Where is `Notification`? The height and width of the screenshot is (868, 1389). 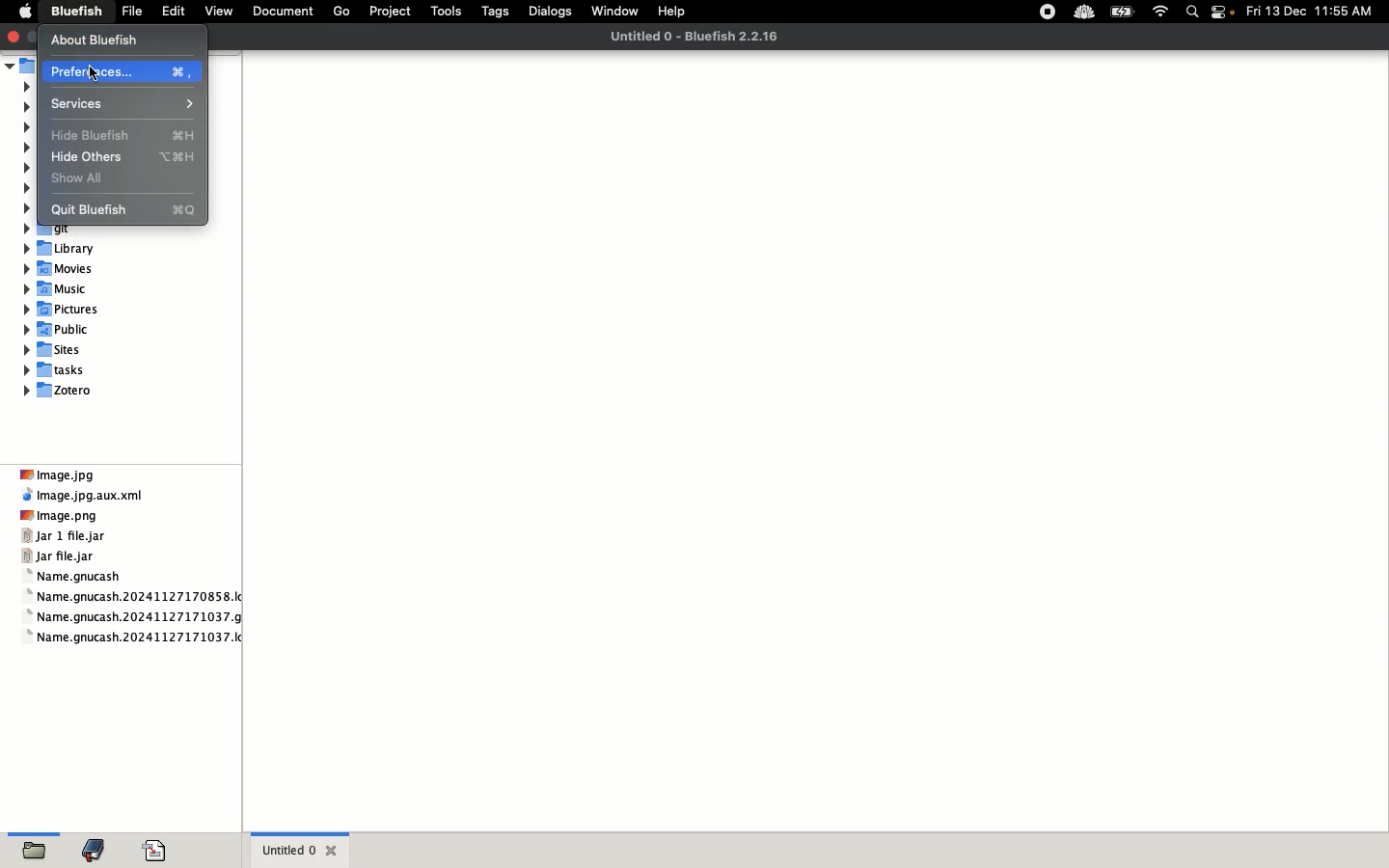 Notification is located at coordinates (1224, 14).